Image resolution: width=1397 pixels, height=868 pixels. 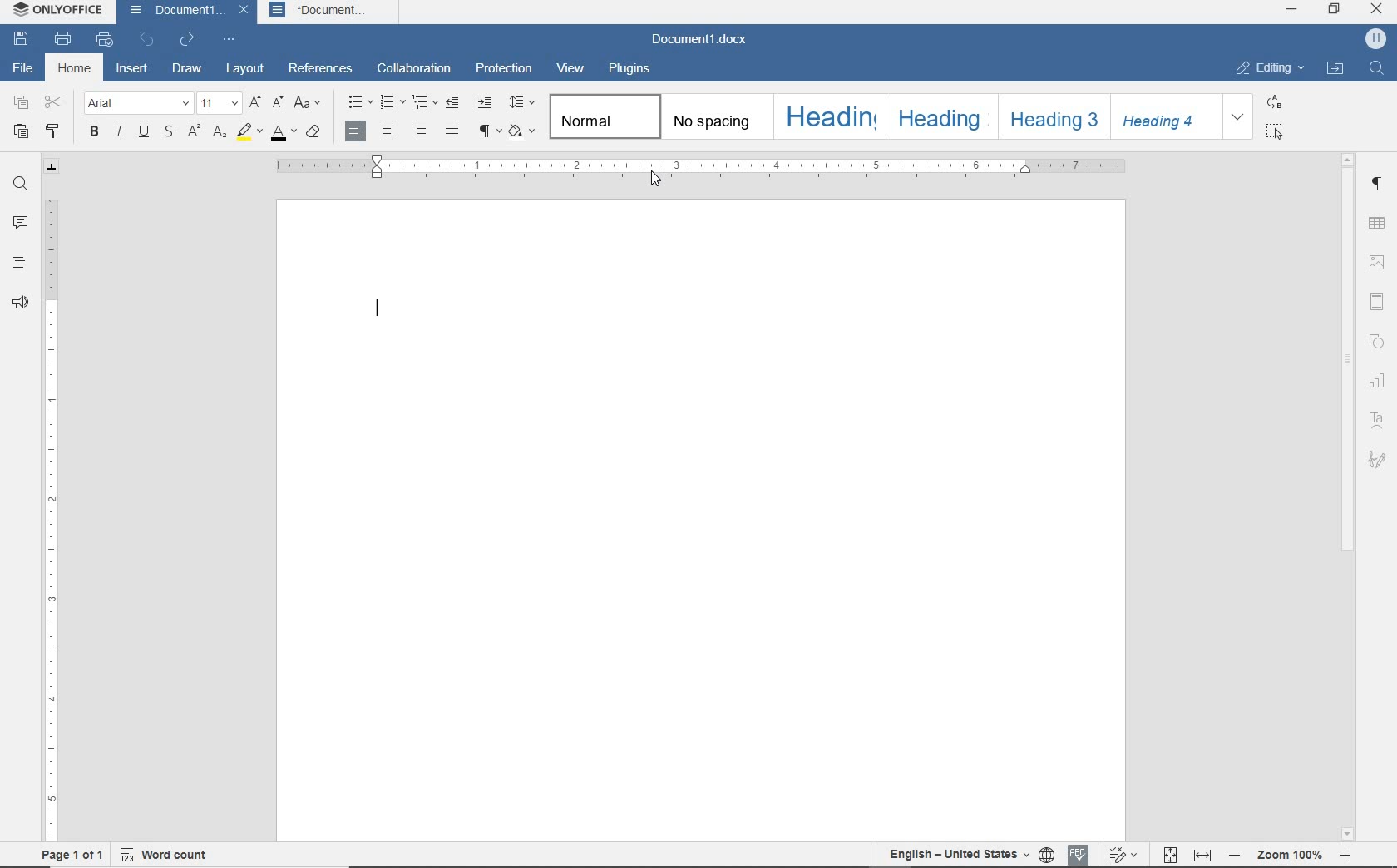 What do you see at coordinates (167, 133) in the screenshot?
I see `STRIKETHROUGH` at bounding box center [167, 133].